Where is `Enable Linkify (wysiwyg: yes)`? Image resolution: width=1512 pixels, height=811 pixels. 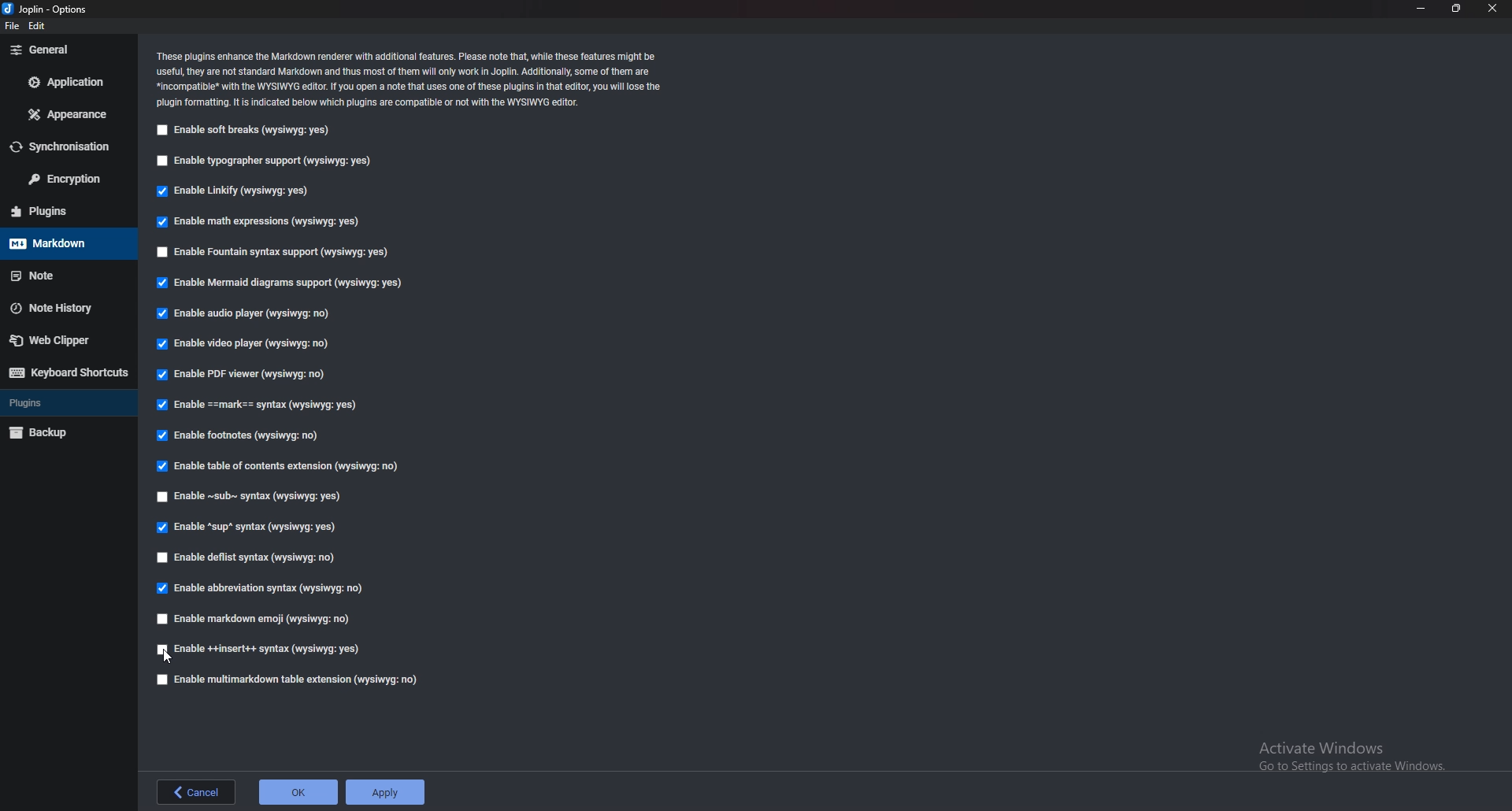
Enable Linkify (wysiwyg: yes) is located at coordinates (239, 191).